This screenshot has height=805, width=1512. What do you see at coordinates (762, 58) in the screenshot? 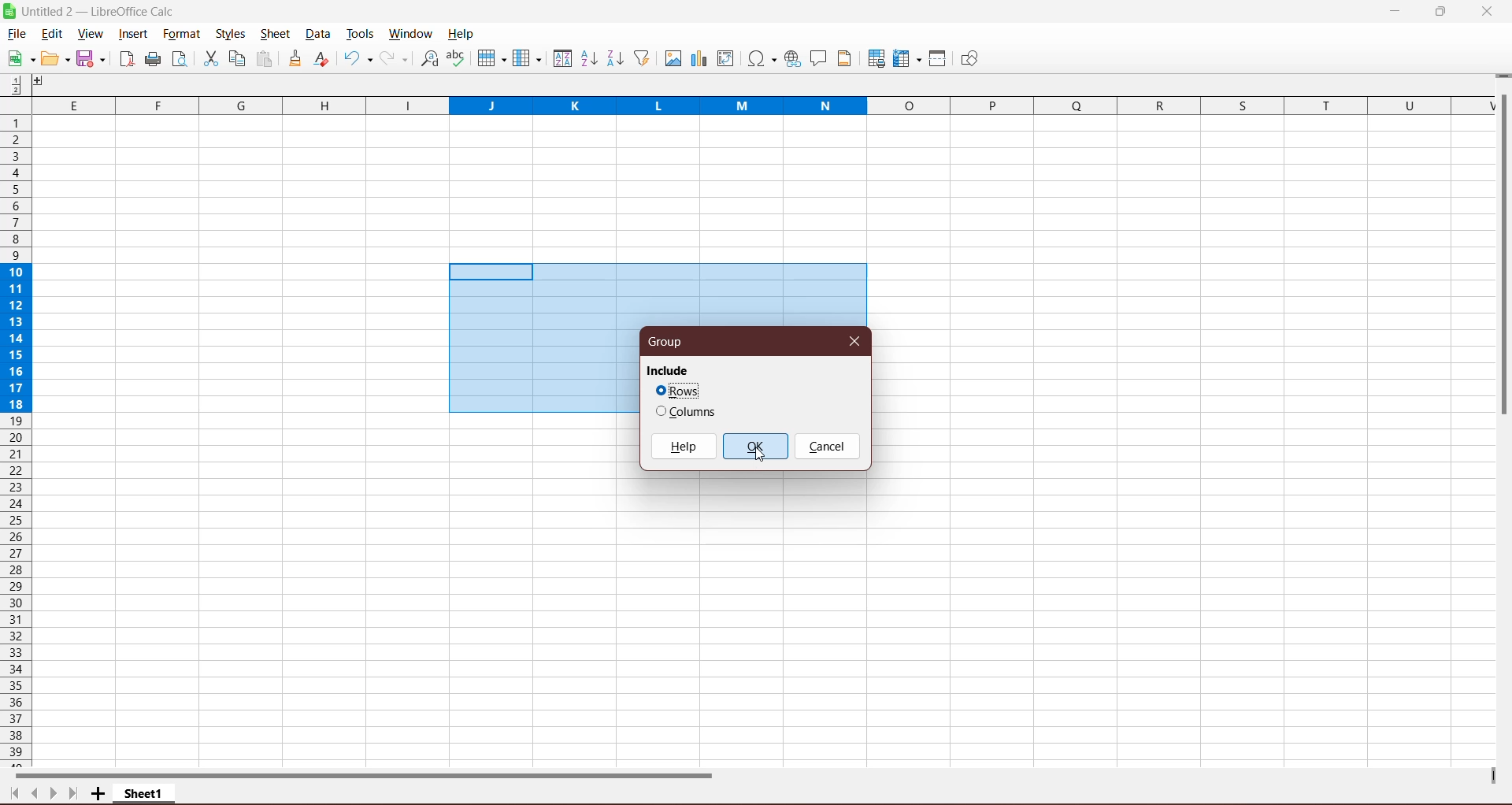
I see `Insert Special Characters` at bounding box center [762, 58].